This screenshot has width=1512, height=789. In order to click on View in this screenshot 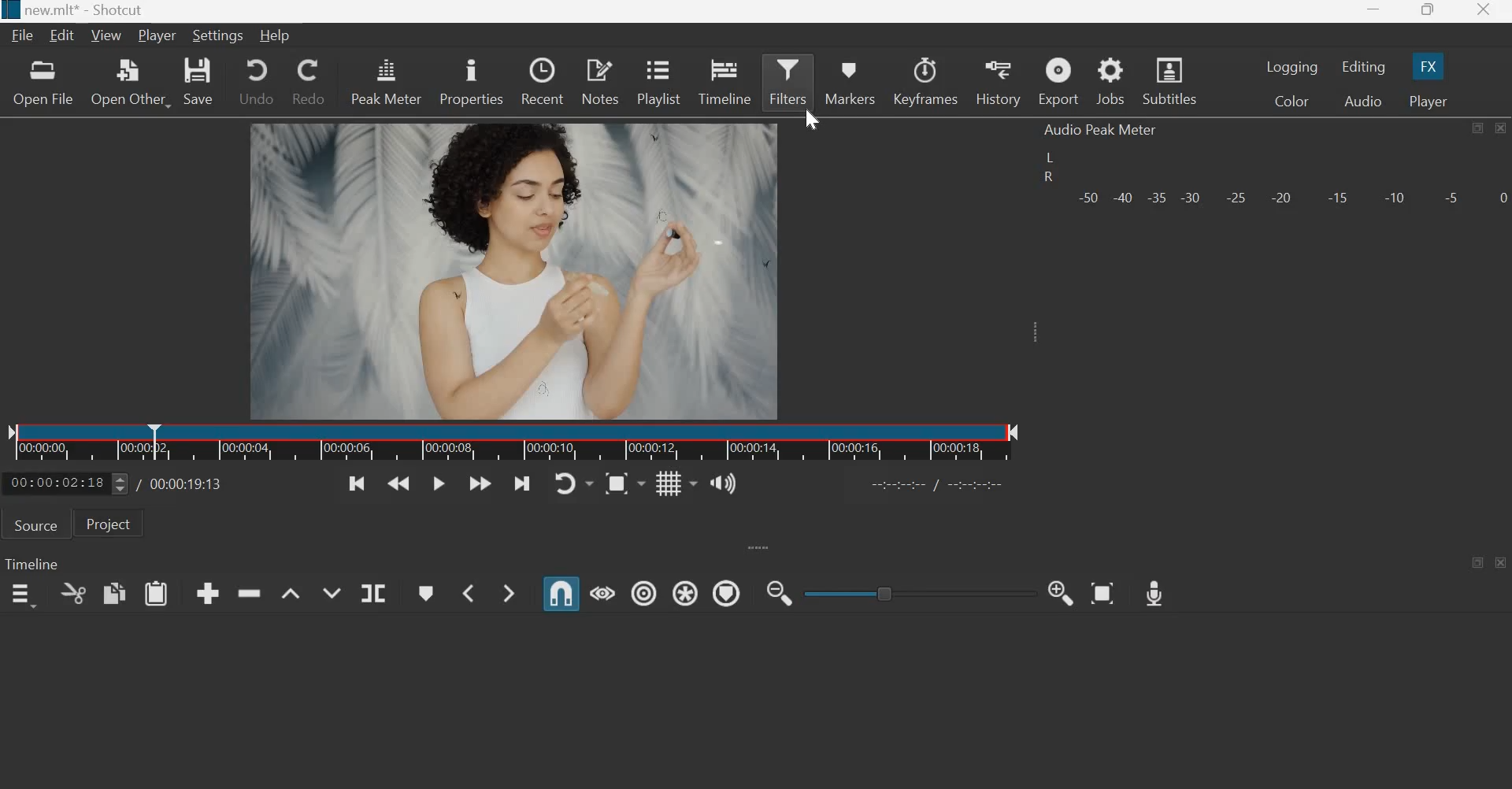, I will do `click(106, 37)`.